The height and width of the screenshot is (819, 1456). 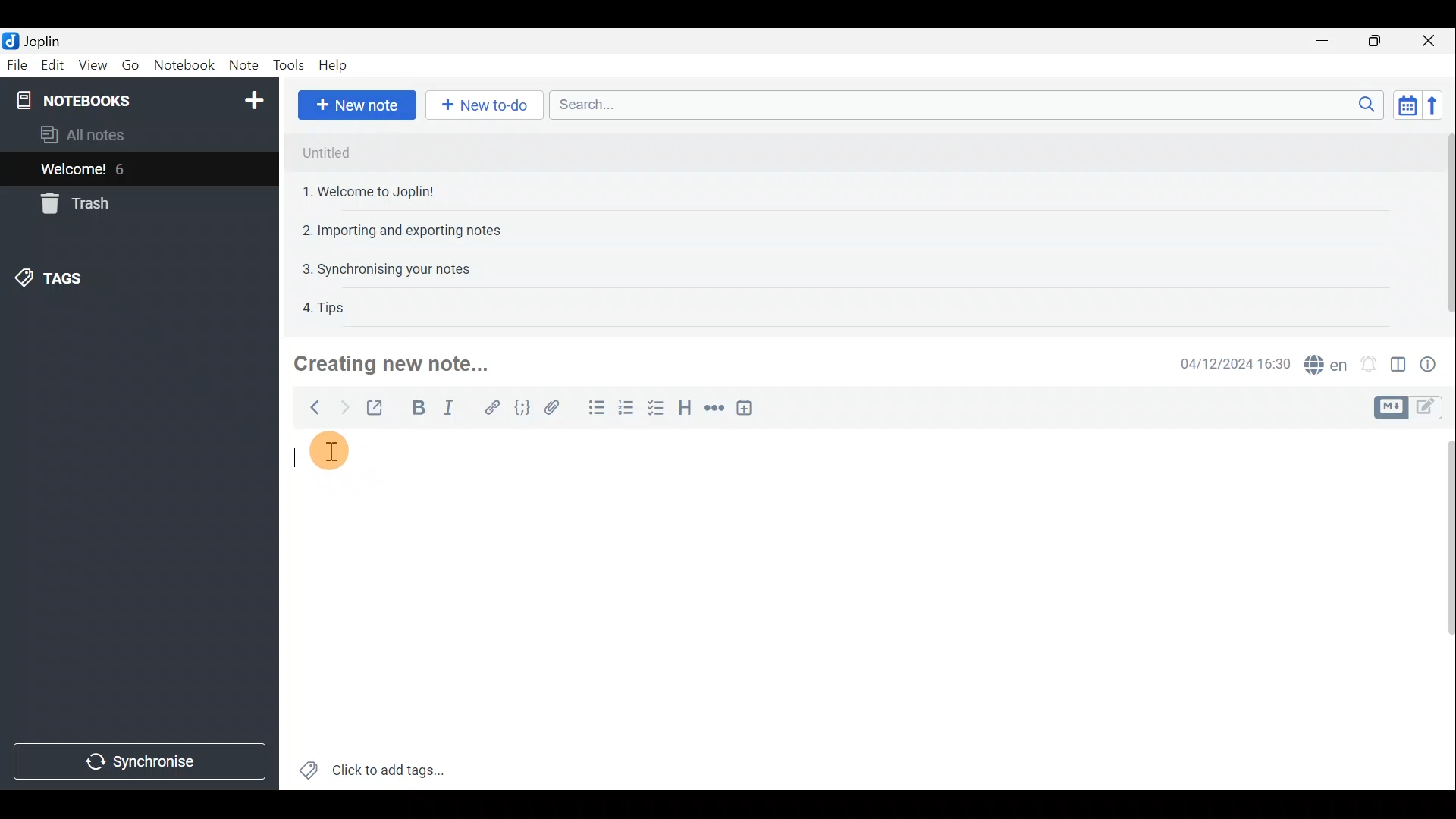 I want to click on 2. Importing and exporting notes, so click(x=407, y=231).